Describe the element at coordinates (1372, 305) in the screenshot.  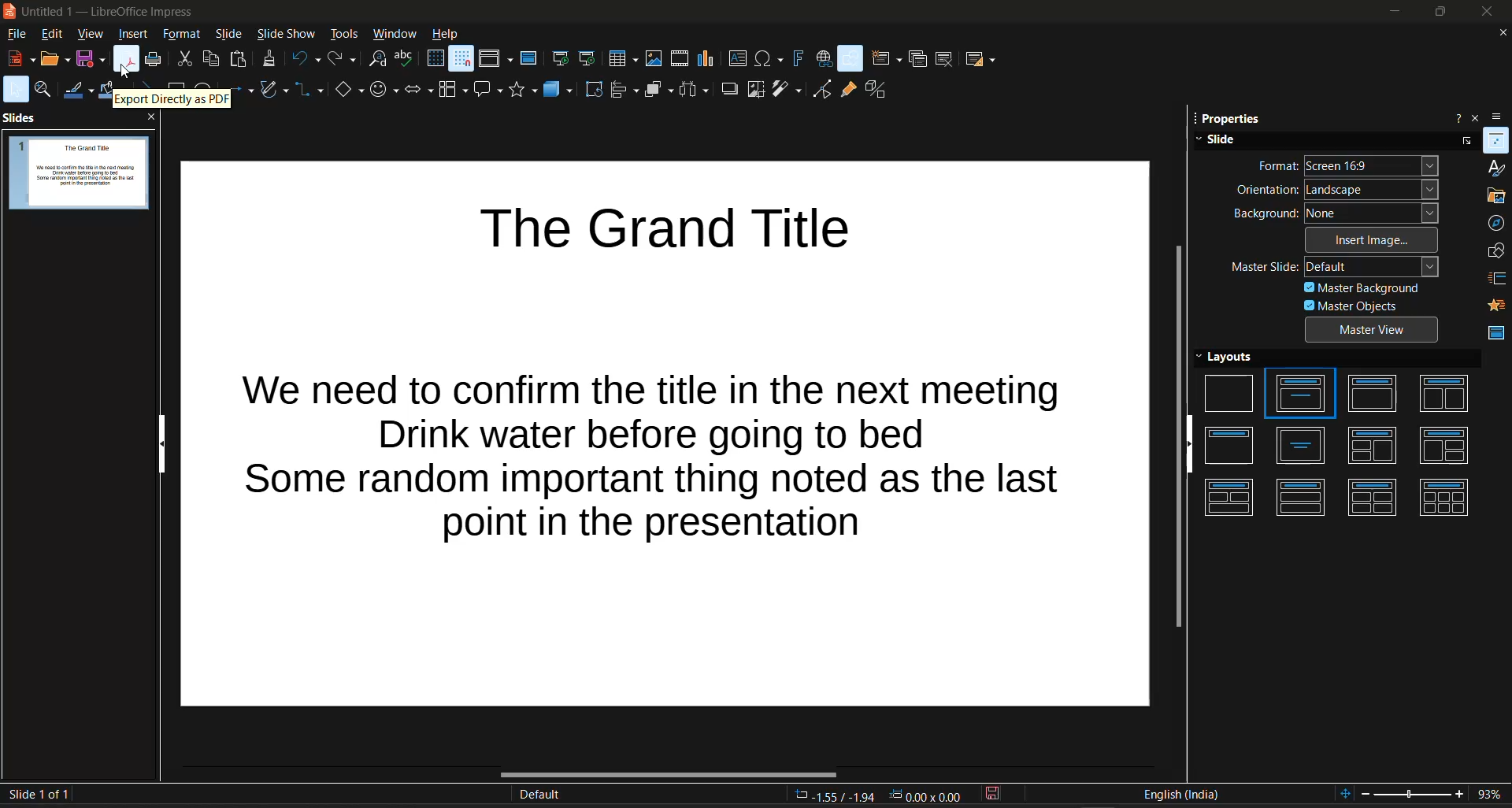
I see `master objects` at that location.